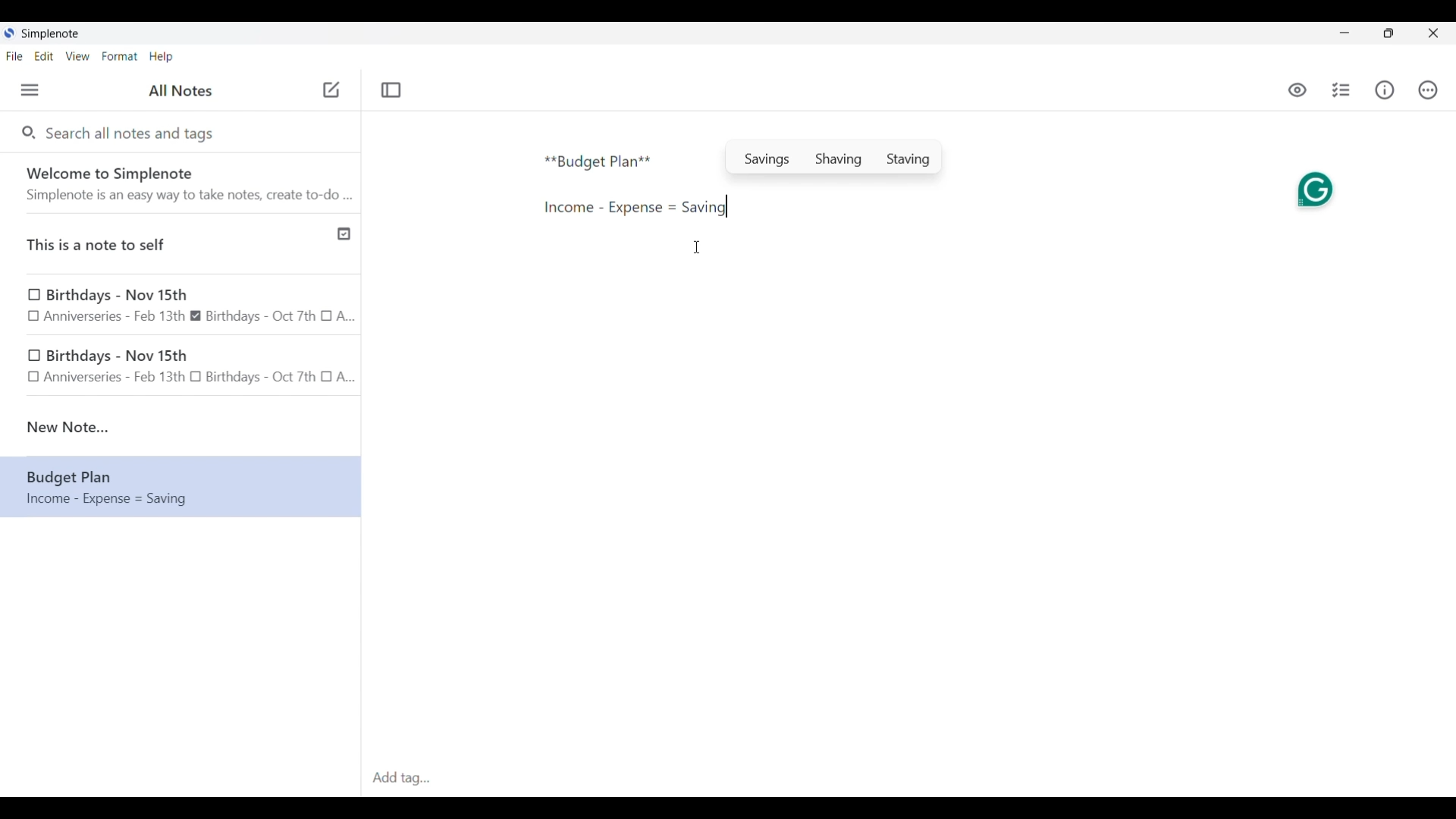 The width and height of the screenshot is (1456, 819). I want to click on Info, so click(1385, 89).